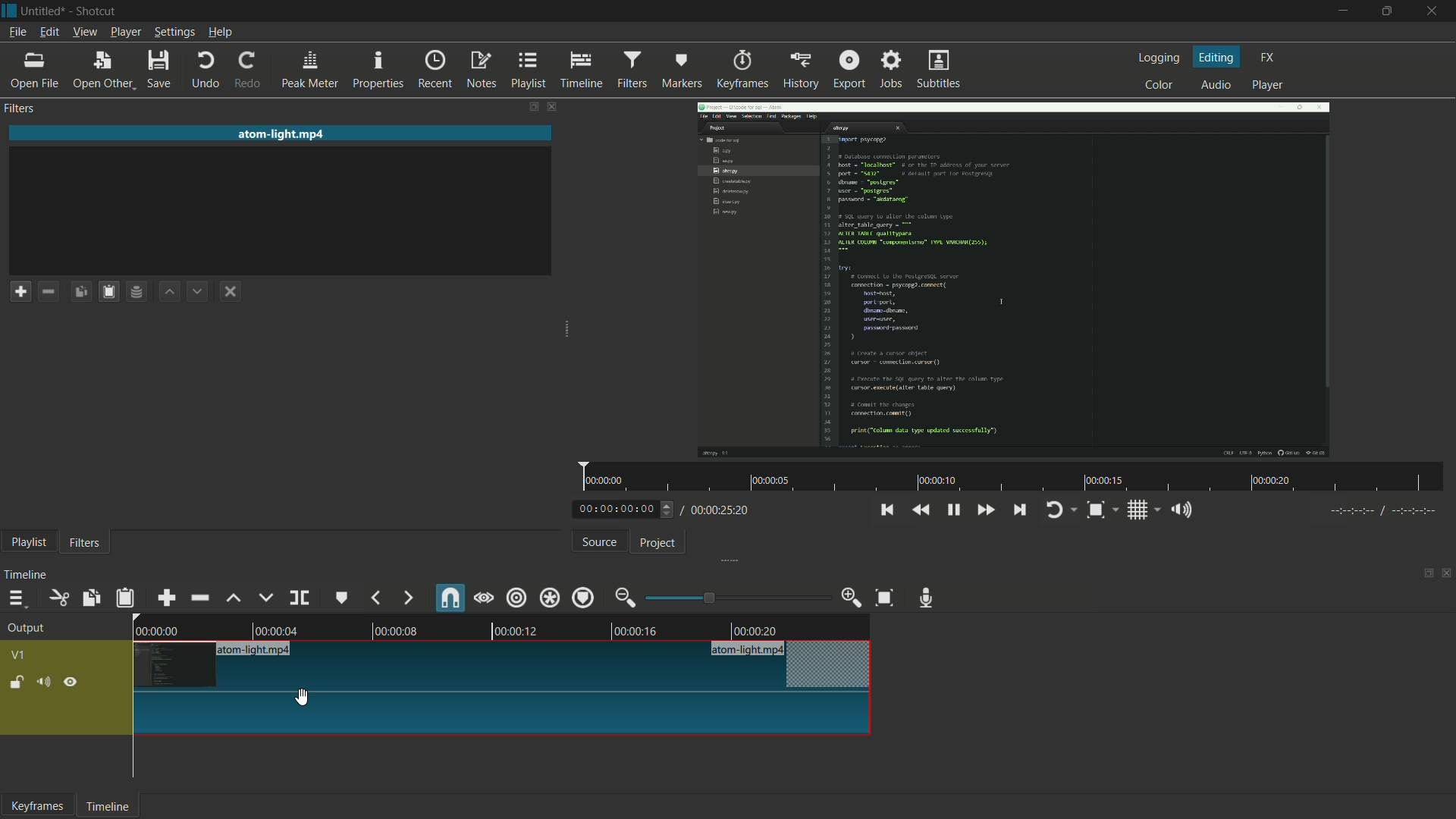  What do you see at coordinates (625, 598) in the screenshot?
I see `move out` at bounding box center [625, 598].